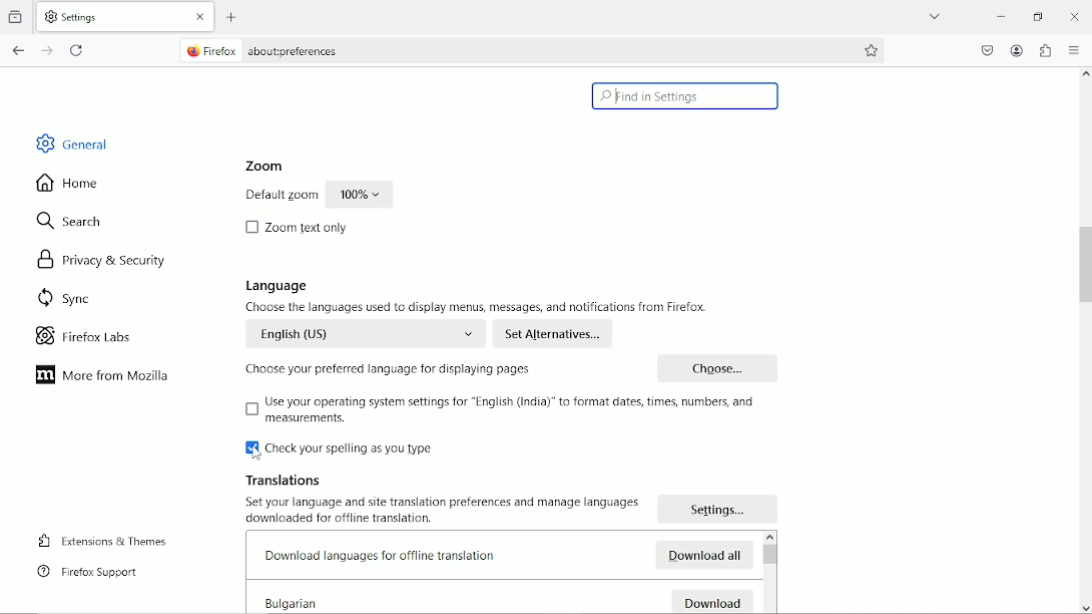 Image resolution: width=1092 pixels, height=614 pixels. Describe the element at coordinates (293, 601) in the screenshot. I see `Bulgarian` at that location.